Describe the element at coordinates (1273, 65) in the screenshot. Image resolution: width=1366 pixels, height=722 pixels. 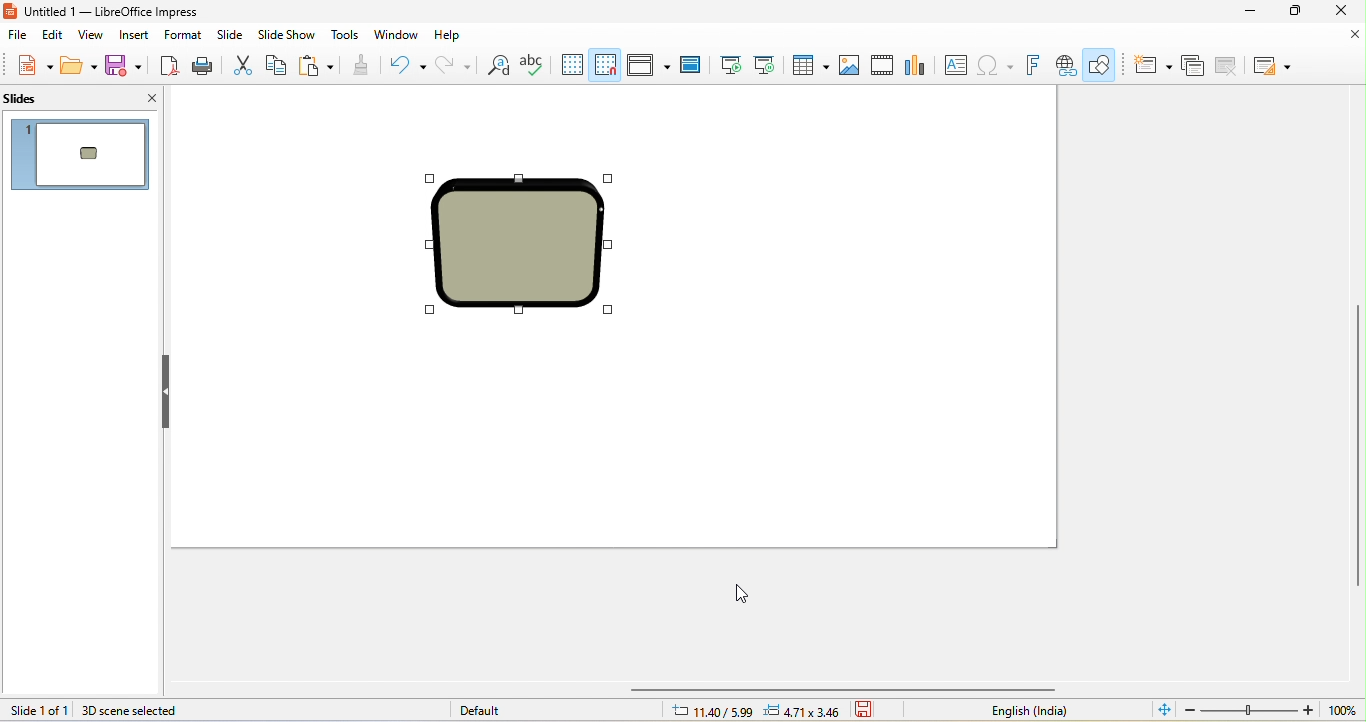
I see `slide layout` at that location.